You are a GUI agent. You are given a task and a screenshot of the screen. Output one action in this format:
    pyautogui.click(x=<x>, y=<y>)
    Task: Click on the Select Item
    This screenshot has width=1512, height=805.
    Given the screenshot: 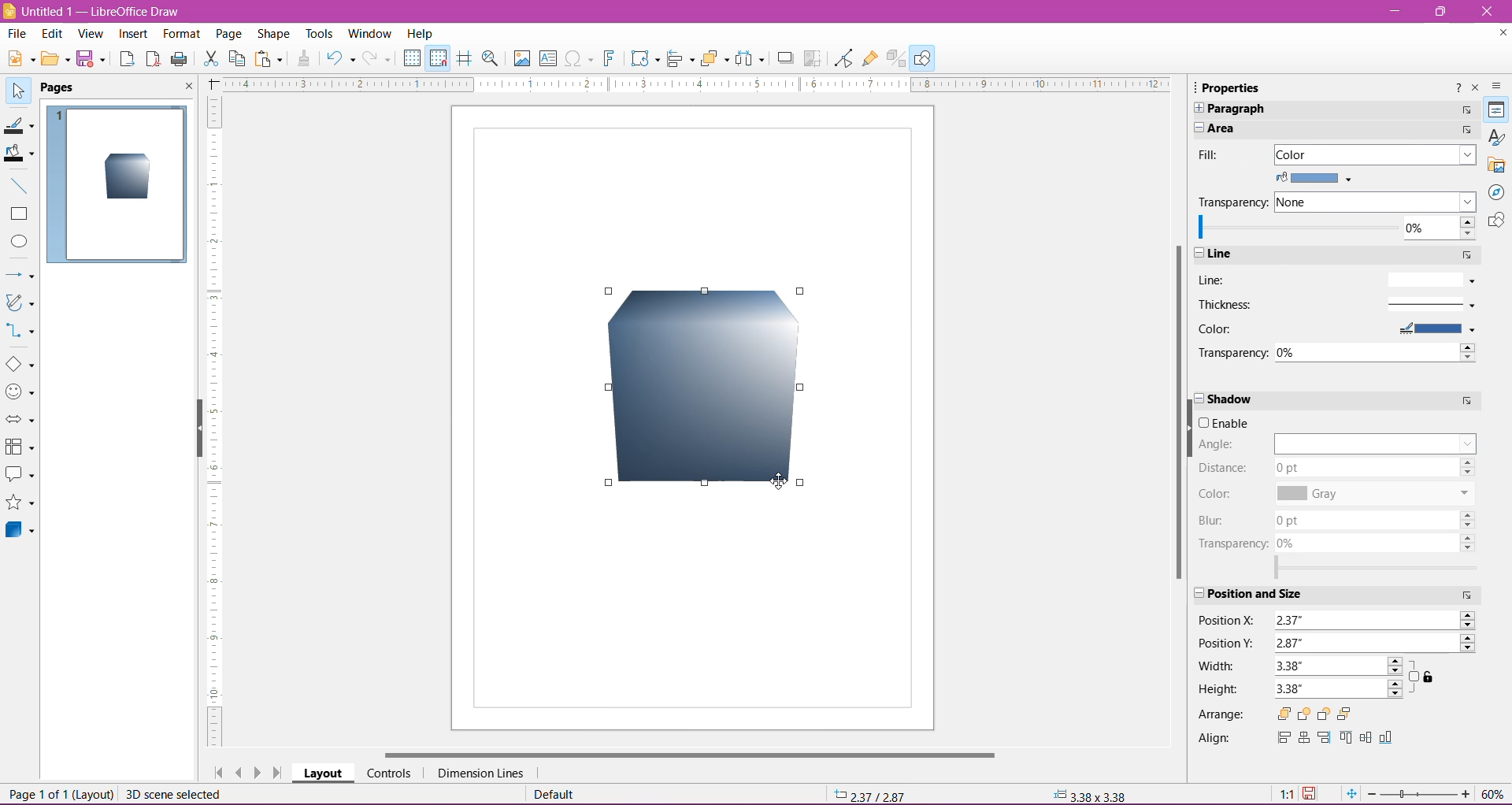 What is the action you would take?
    pyautogui.click(x=18, y=89)
    